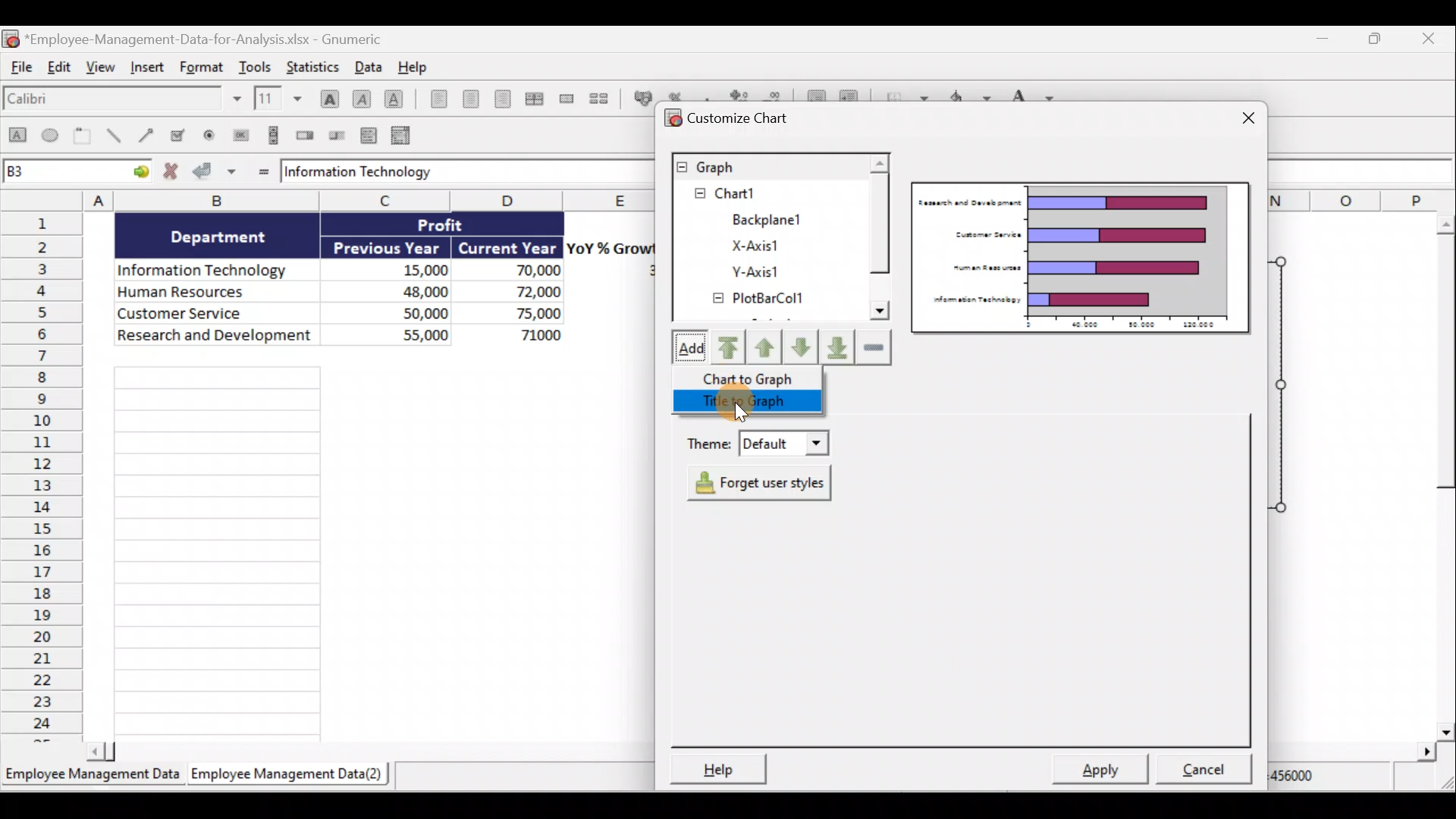  I want to click on Split merged range of cells, so click(599, 98).